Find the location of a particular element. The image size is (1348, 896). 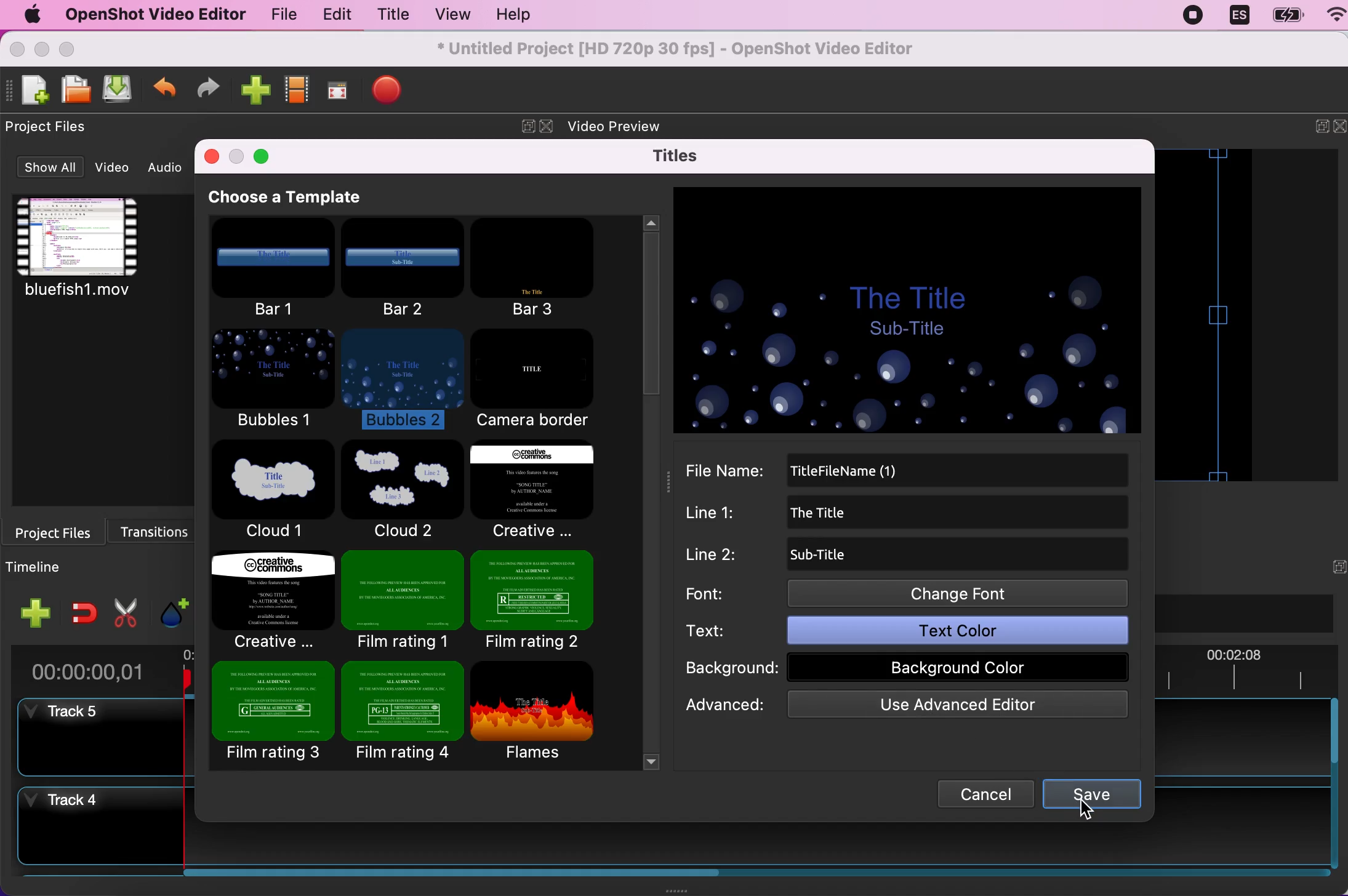

cloud 2 is located at coordinates (399, 490).